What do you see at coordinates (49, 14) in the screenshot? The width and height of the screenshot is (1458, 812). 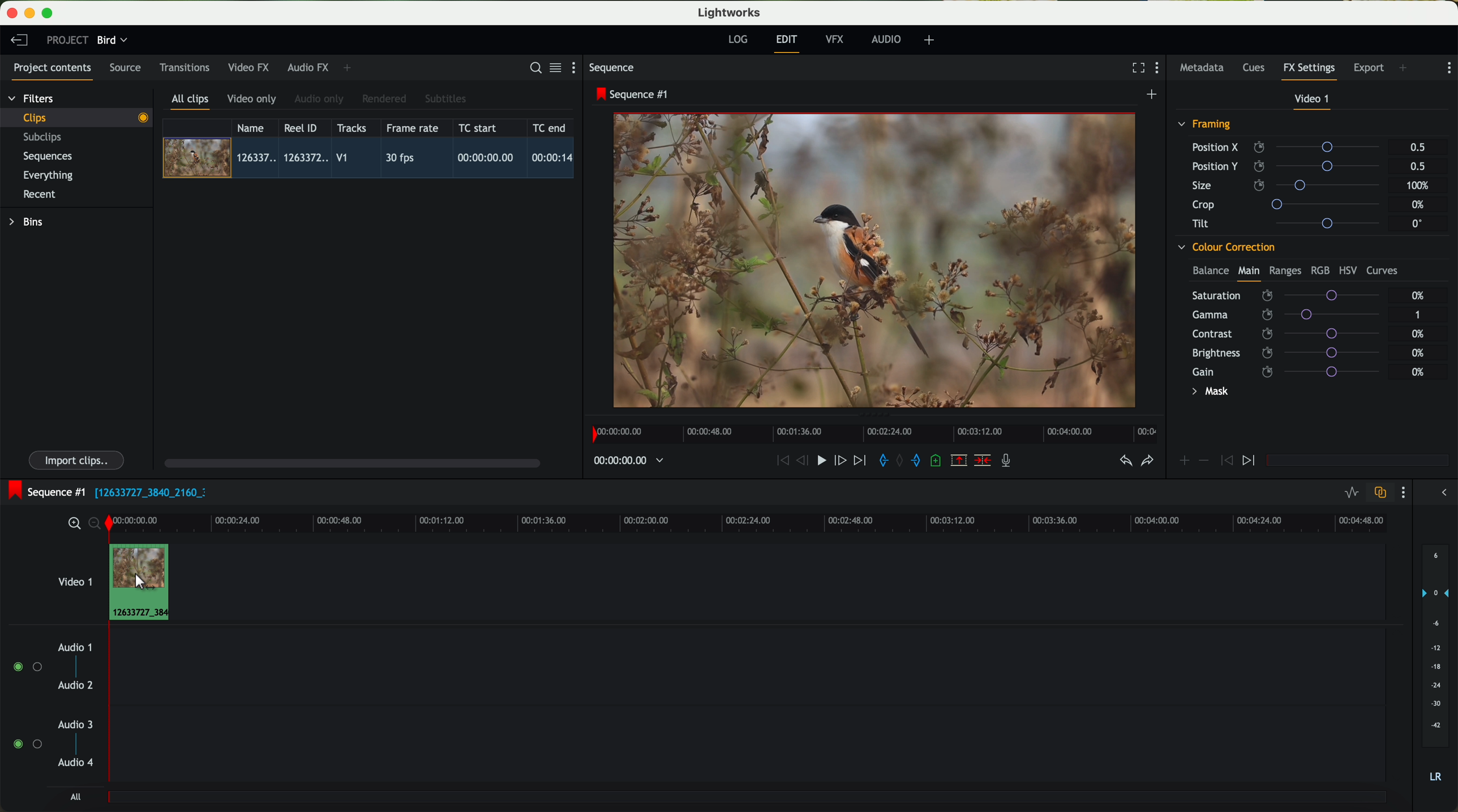 I see `maximize program` at bounding box center [49, 14].